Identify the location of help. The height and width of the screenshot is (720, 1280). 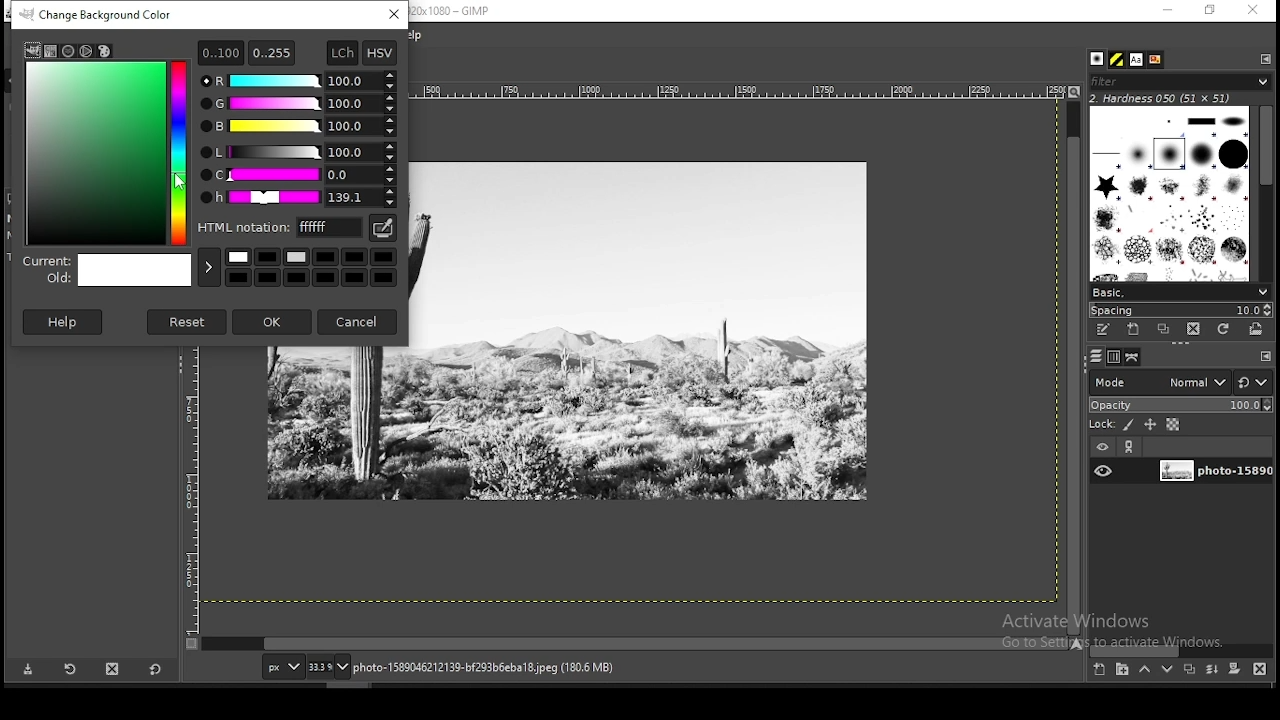
(65, 321).